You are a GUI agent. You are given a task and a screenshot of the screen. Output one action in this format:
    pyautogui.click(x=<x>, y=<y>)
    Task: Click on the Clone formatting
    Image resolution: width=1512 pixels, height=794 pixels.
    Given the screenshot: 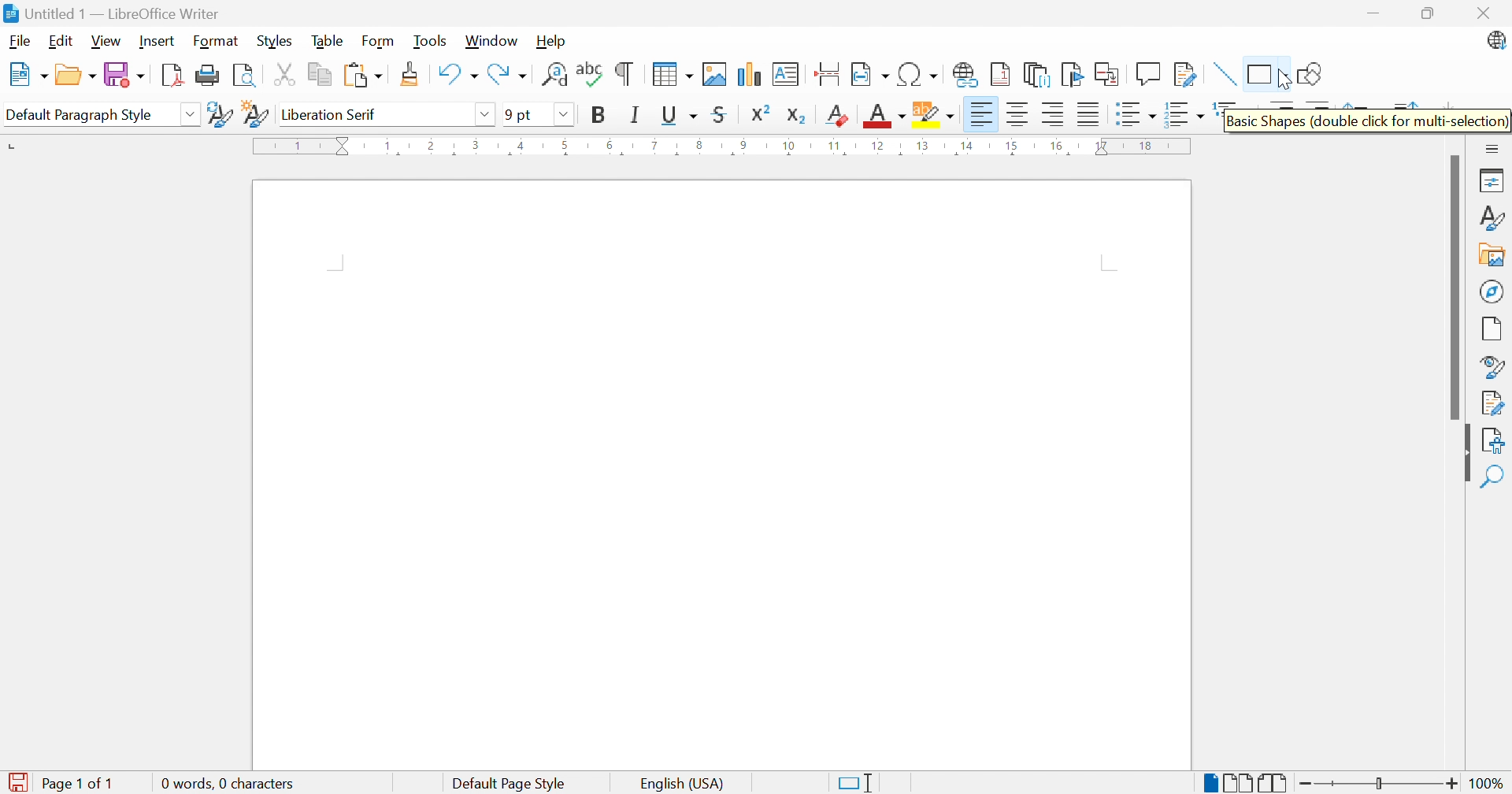 What is the action you would take?
    pyautogui.click(x=412, y=74)
    